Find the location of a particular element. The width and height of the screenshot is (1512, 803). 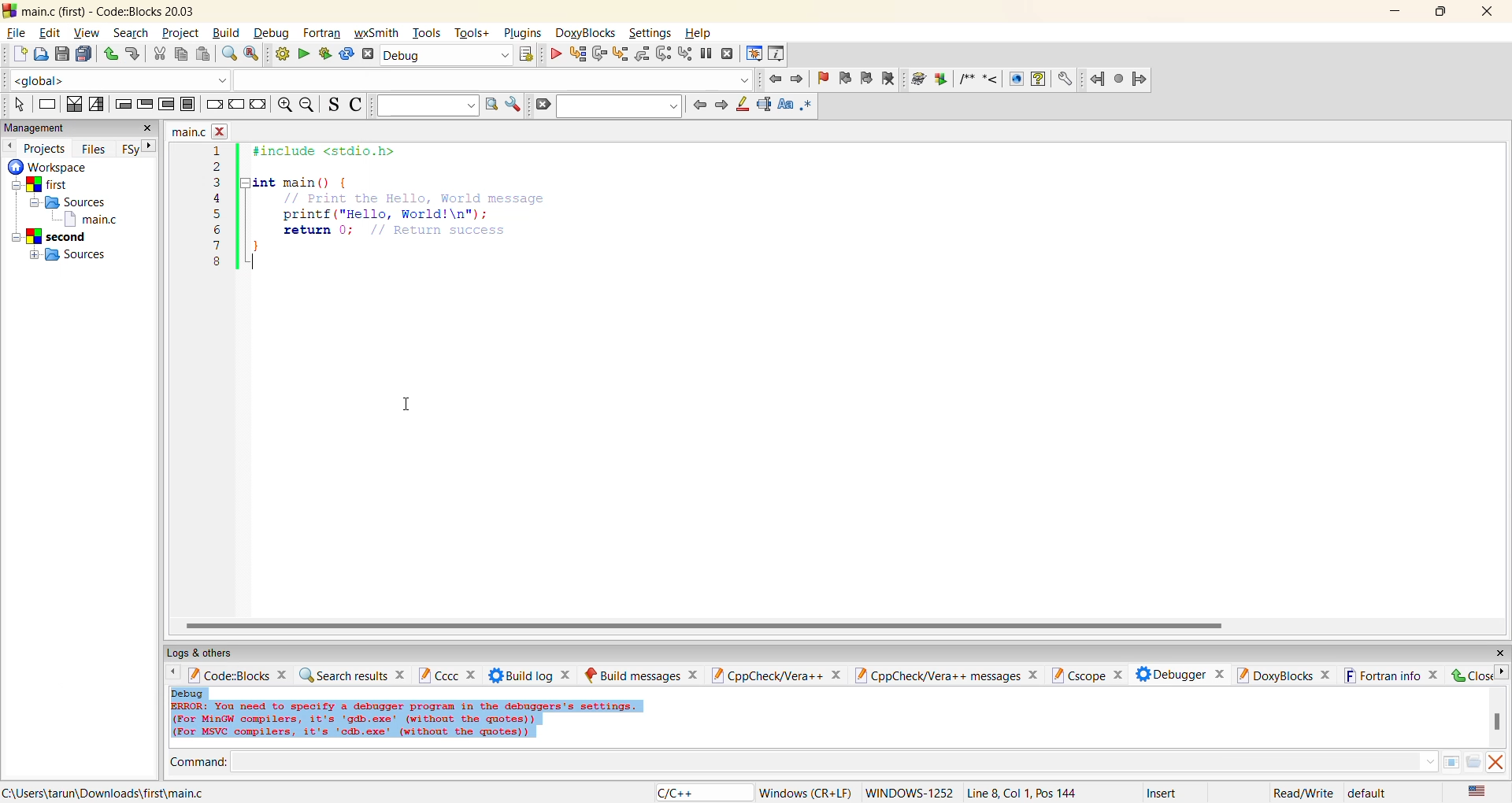

step into is located at coordinates (618, 55).